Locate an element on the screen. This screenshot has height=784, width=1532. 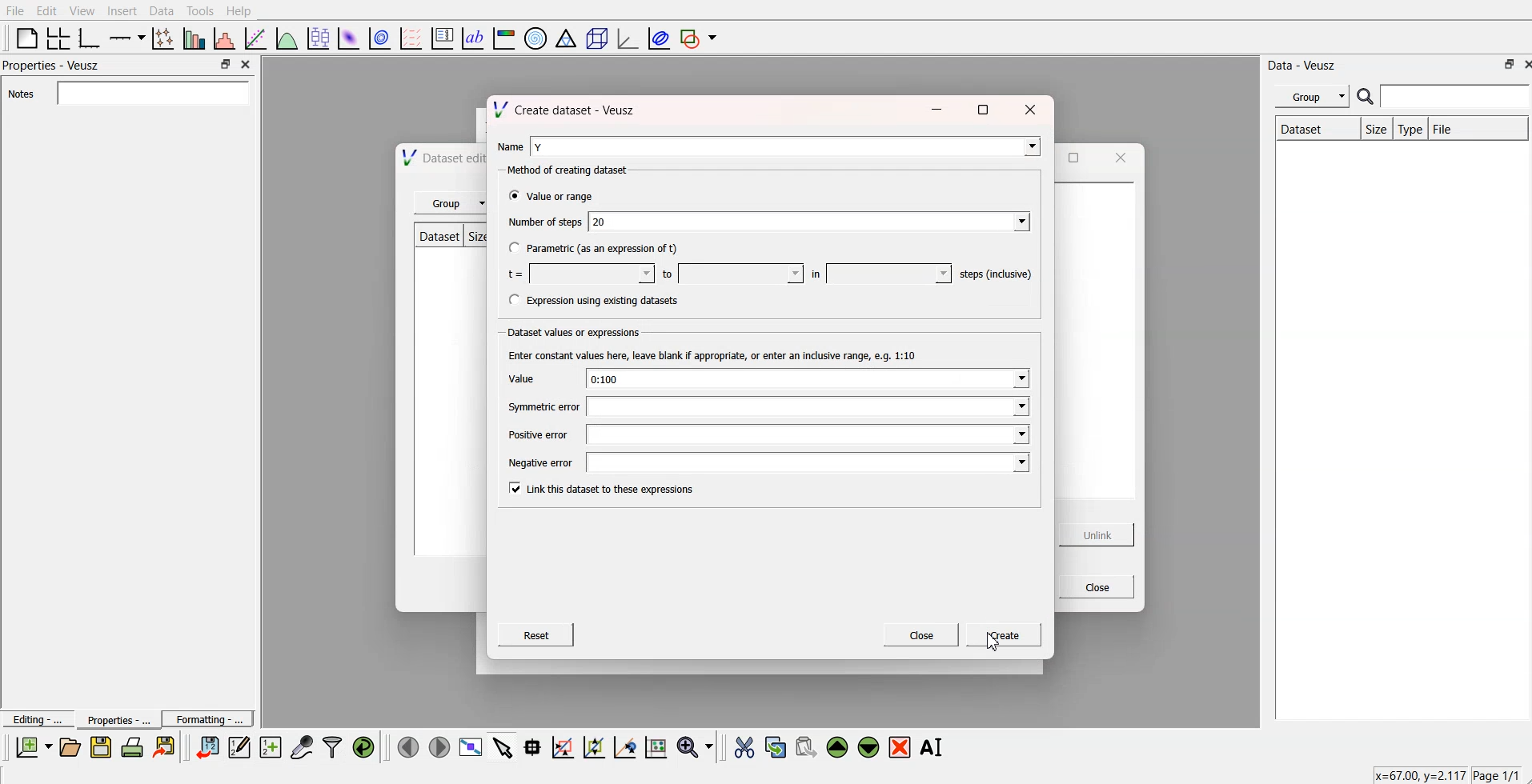
plot covariance ellipses is located at coordinates (656, 37).